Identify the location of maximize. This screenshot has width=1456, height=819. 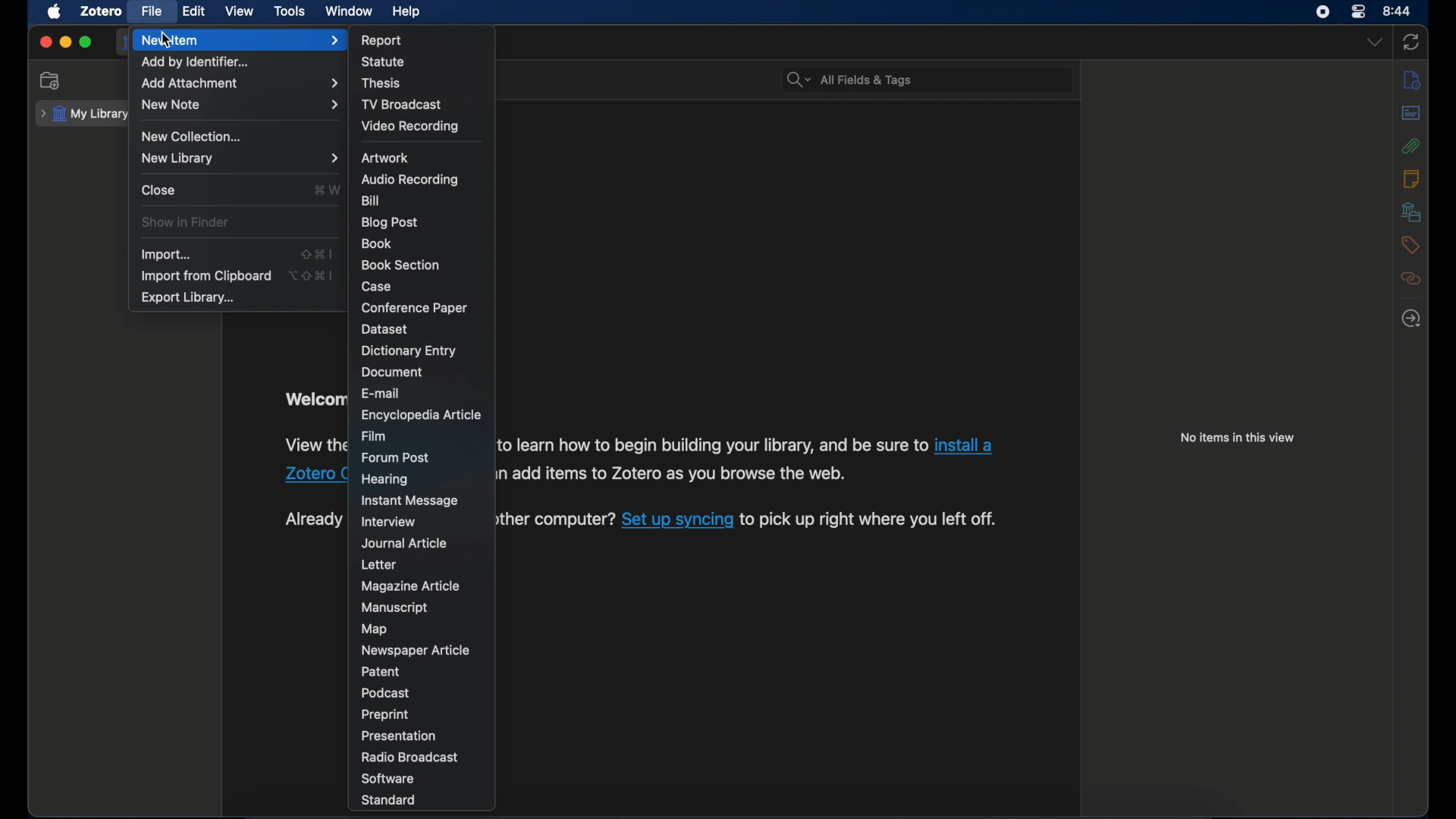
(86, 43).